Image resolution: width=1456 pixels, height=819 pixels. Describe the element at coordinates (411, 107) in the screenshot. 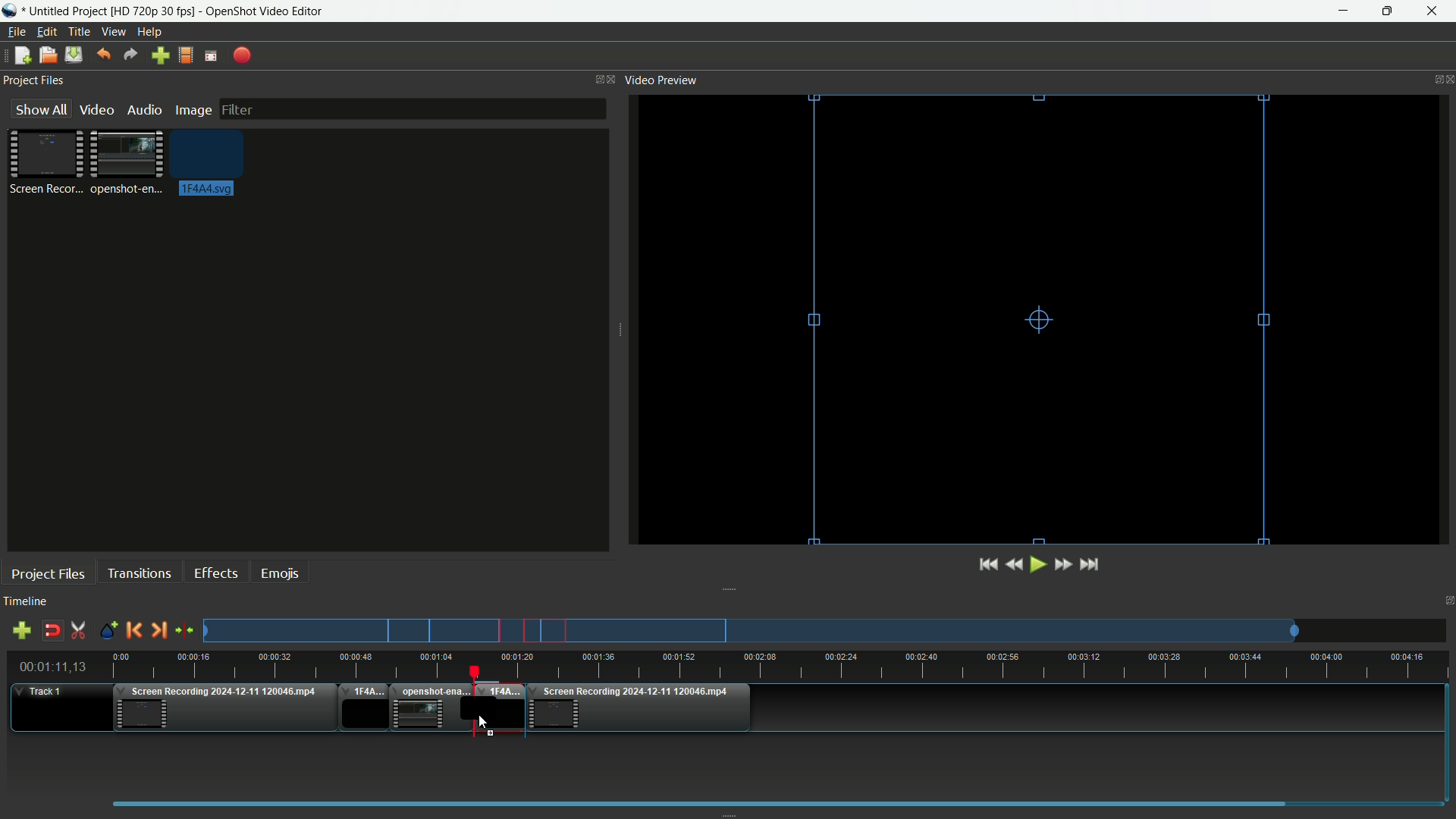

I see `filter bar` at that location.